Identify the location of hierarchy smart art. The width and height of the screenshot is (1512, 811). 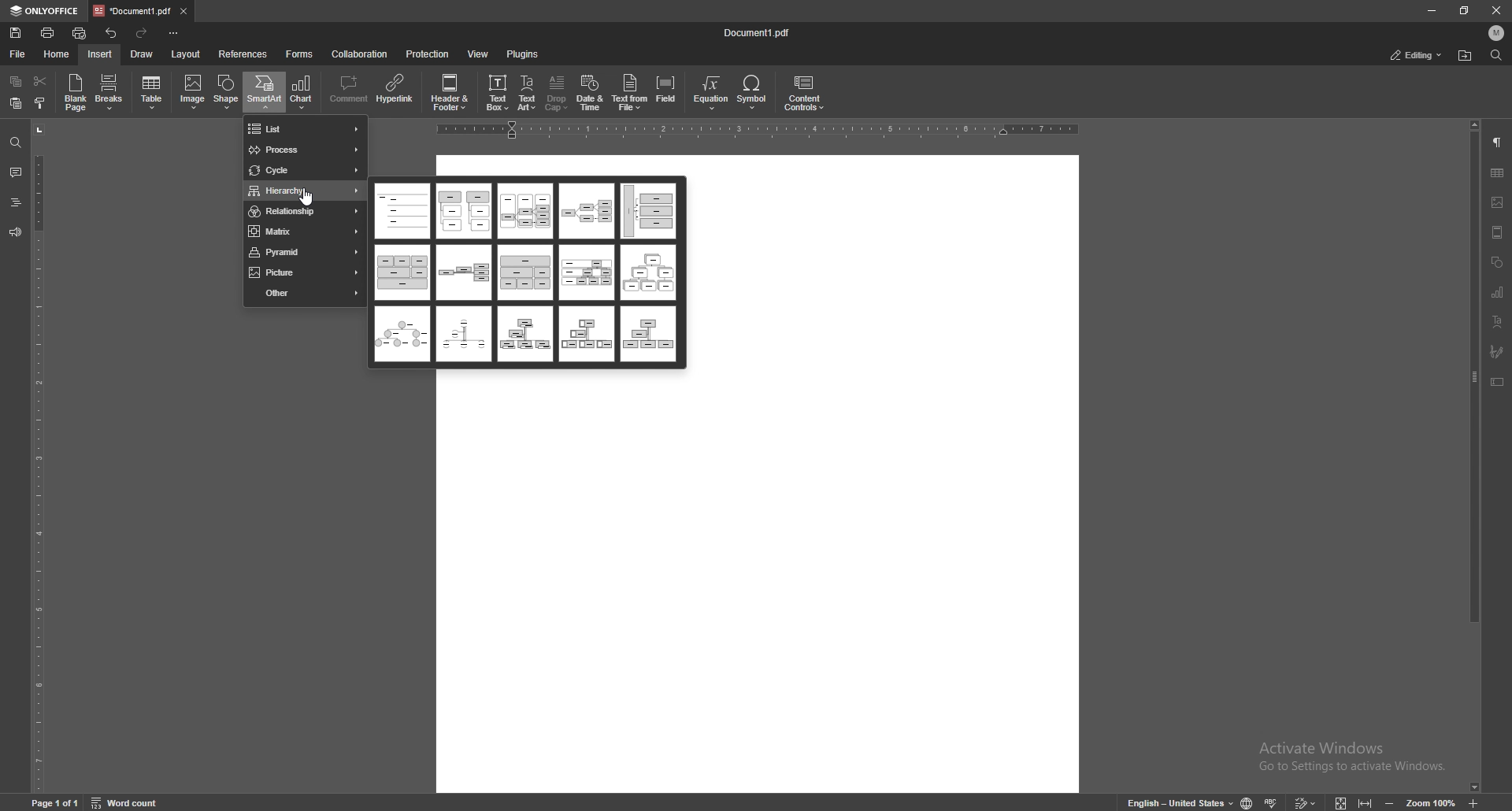
(649, 273).